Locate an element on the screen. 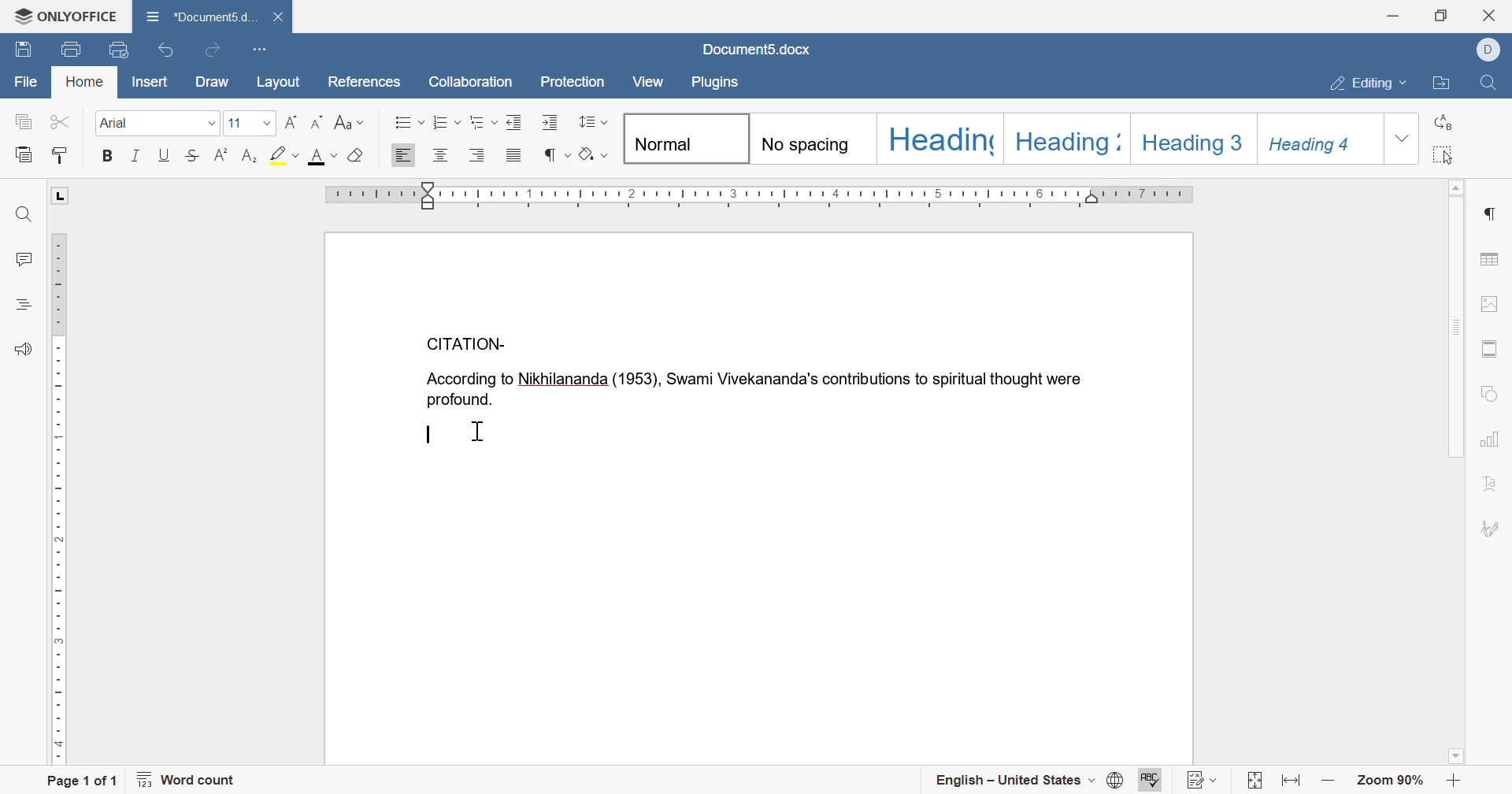  copy is located at coordinates (23, 121).